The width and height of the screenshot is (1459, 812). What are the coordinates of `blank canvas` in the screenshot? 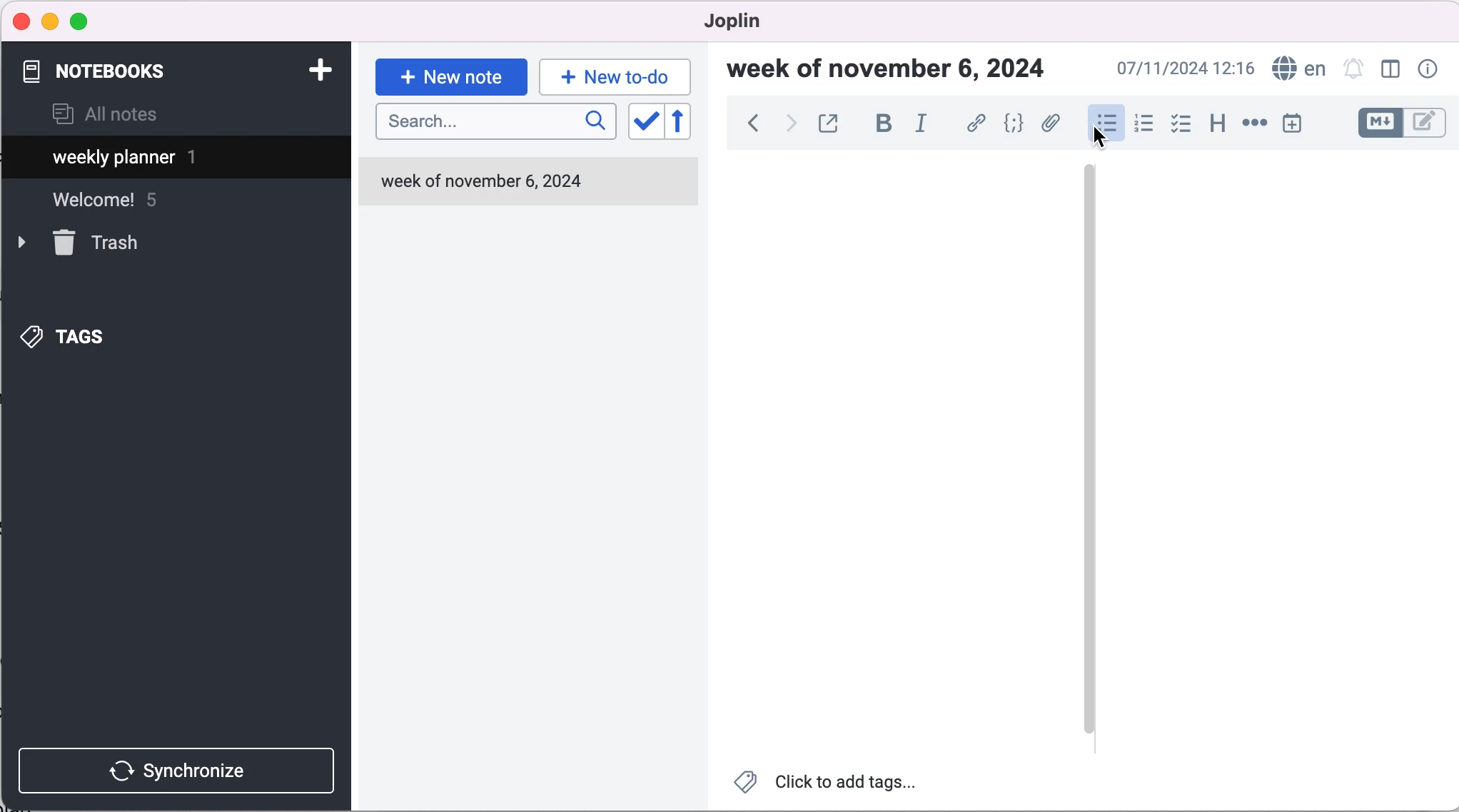 It's located at (1281, 453).